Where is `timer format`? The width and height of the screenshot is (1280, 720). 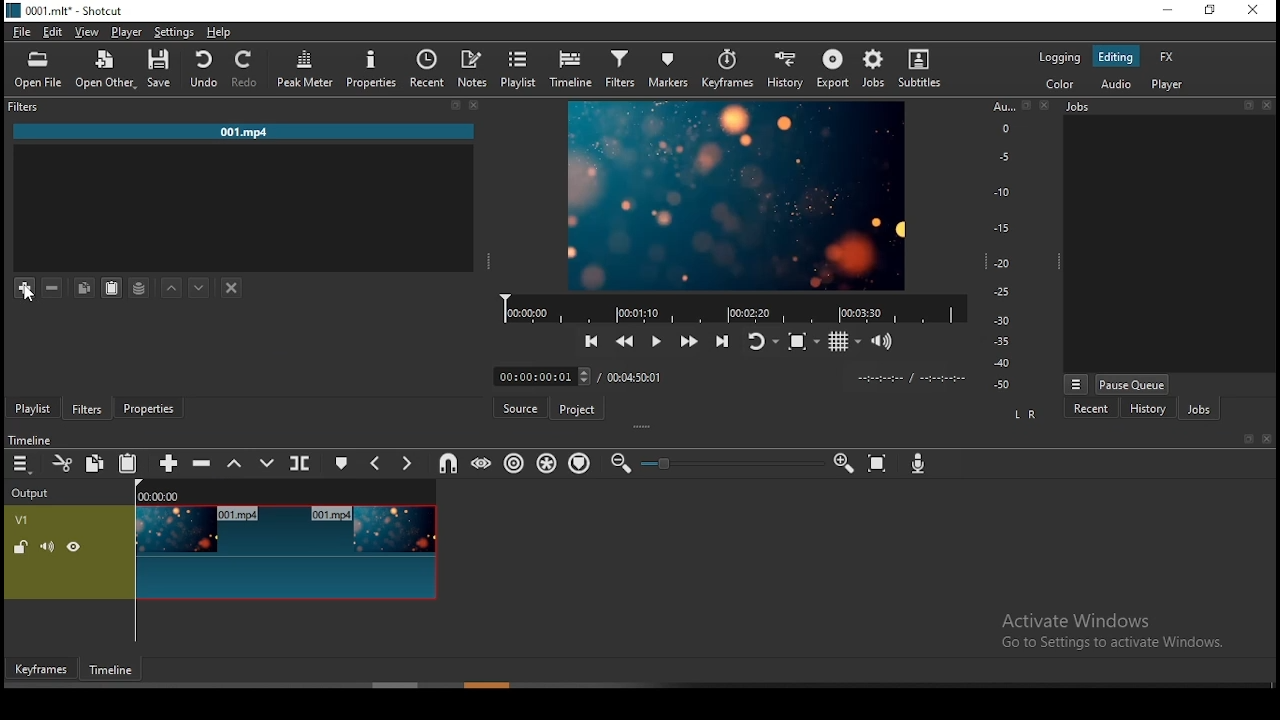
timer format is located at coordinates (911, 377).